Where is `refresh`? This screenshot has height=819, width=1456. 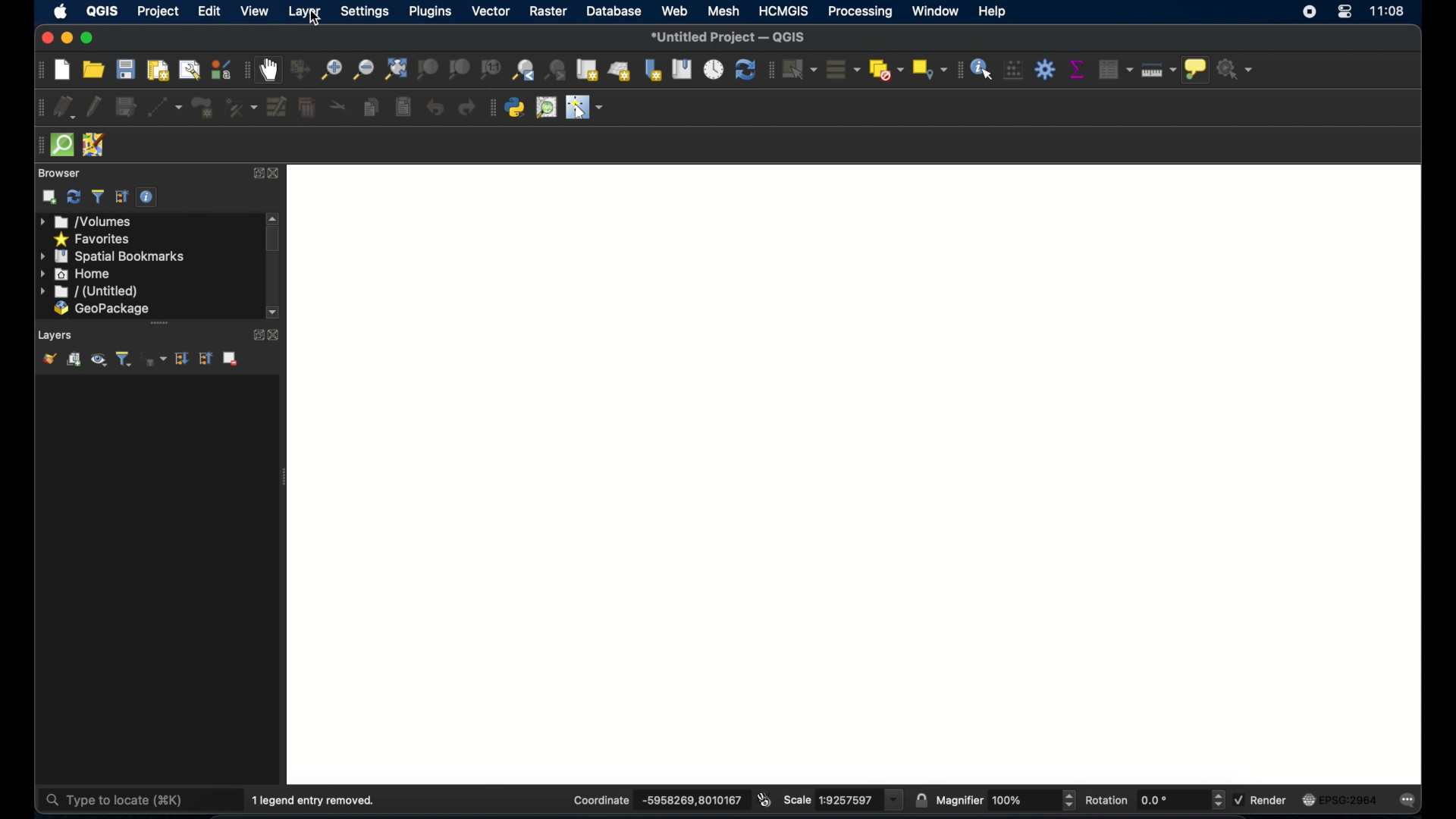 refresh is located at coordinates (74, 197).